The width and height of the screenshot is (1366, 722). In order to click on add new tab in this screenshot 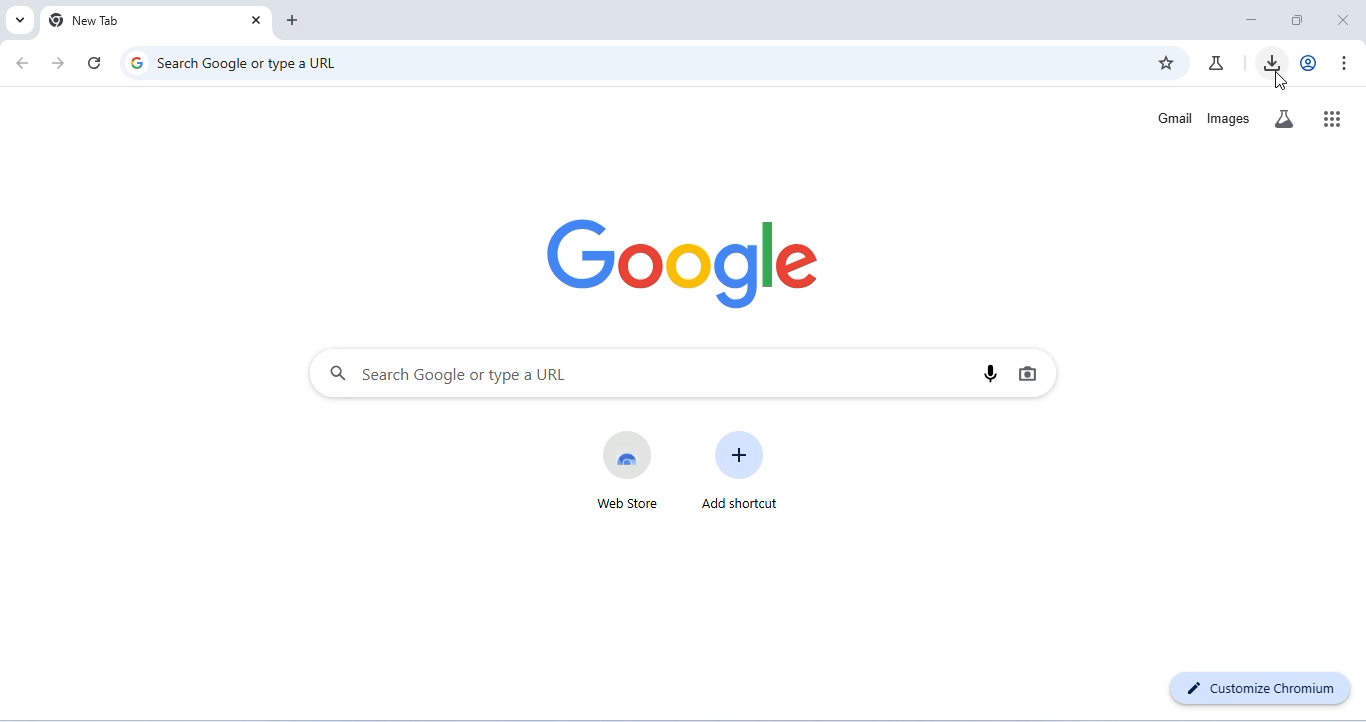, I will do `click(293, 22)`.